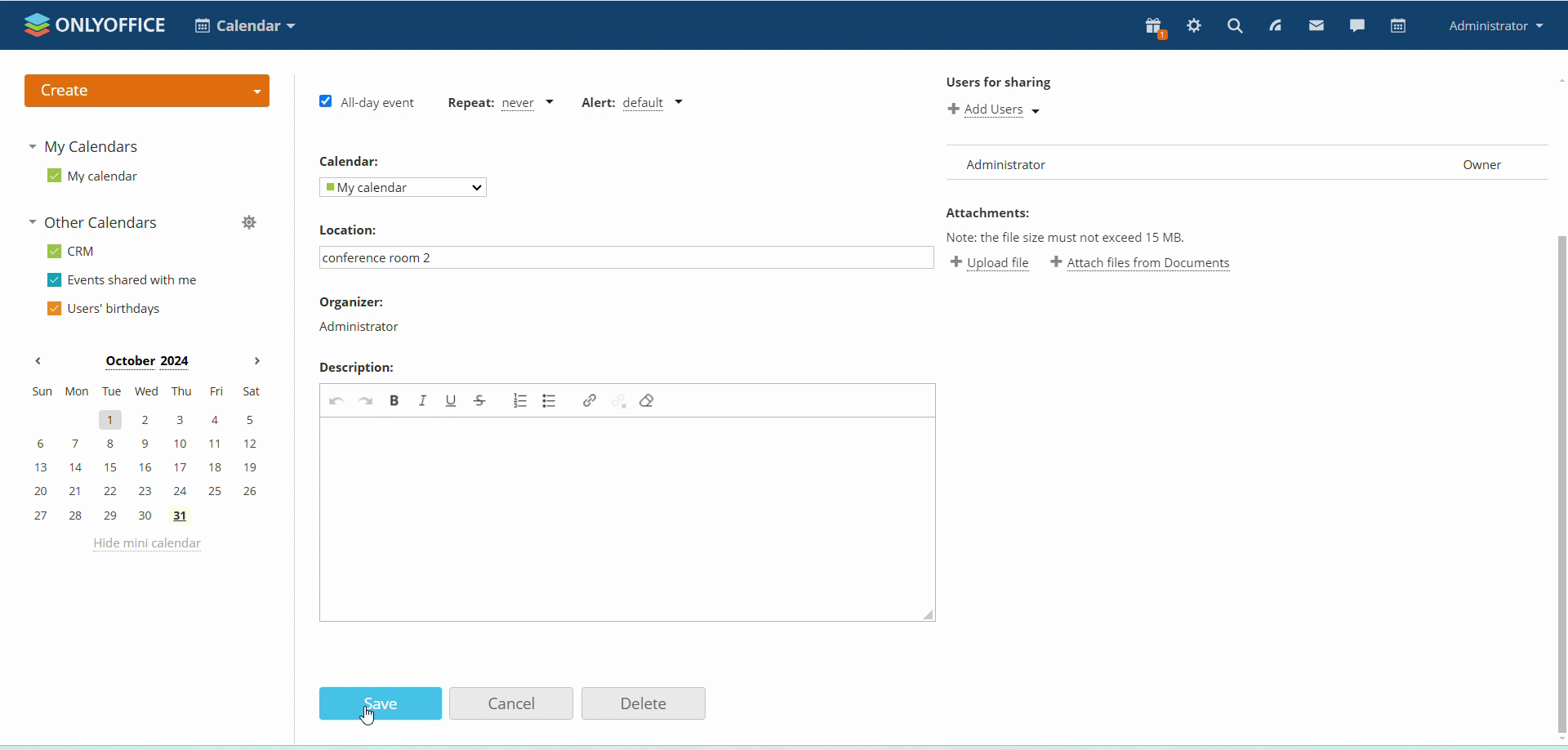  I want to click on Save, so click(381, 703).